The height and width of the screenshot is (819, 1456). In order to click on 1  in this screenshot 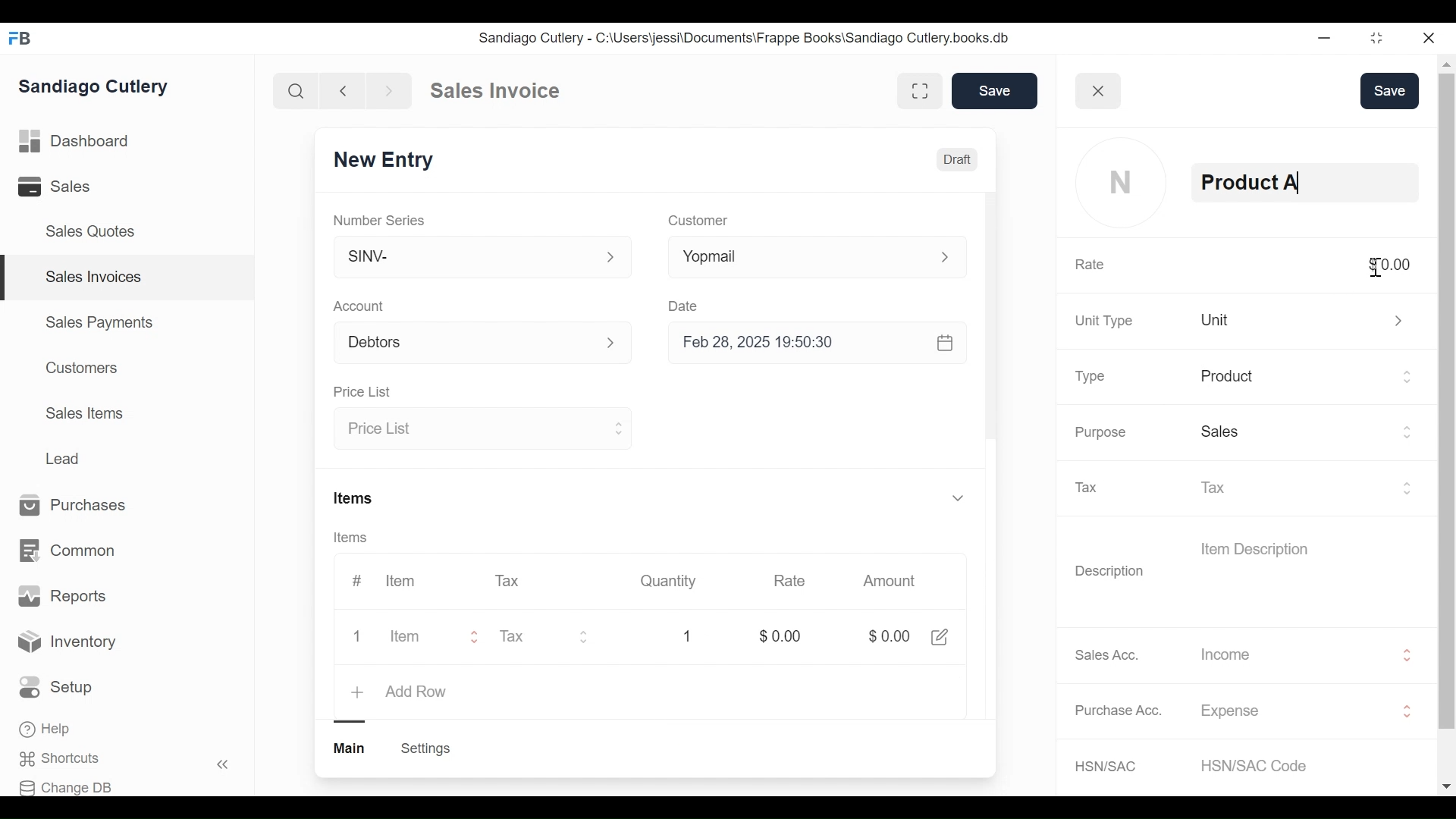, I will do `click(689, 635)`.